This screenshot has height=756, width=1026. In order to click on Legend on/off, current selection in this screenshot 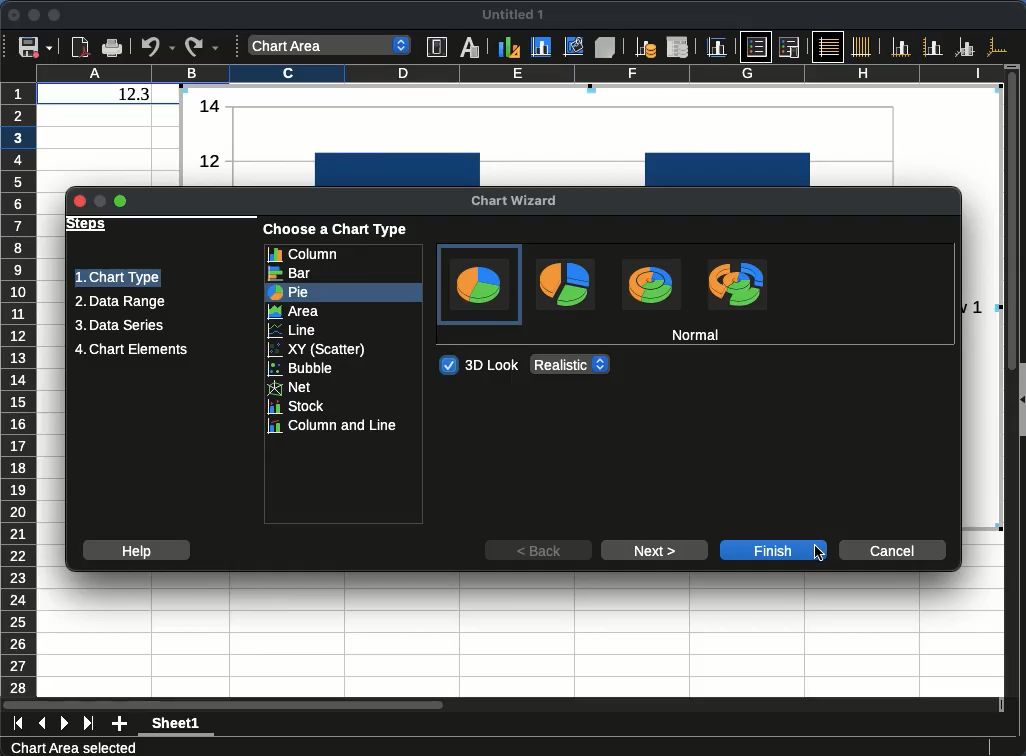, I will do `click(756, 46)`.